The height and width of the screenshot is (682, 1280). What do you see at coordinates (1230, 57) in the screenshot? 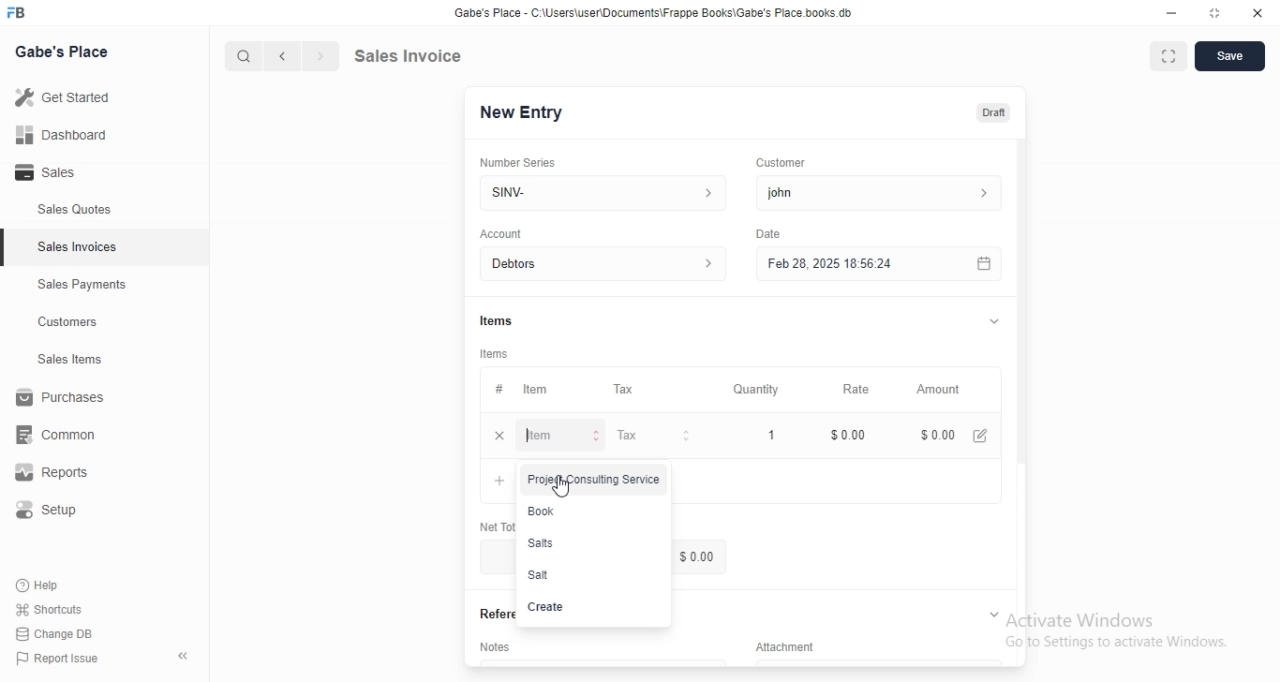
I see `Save` at bounding box center [1230, 57].